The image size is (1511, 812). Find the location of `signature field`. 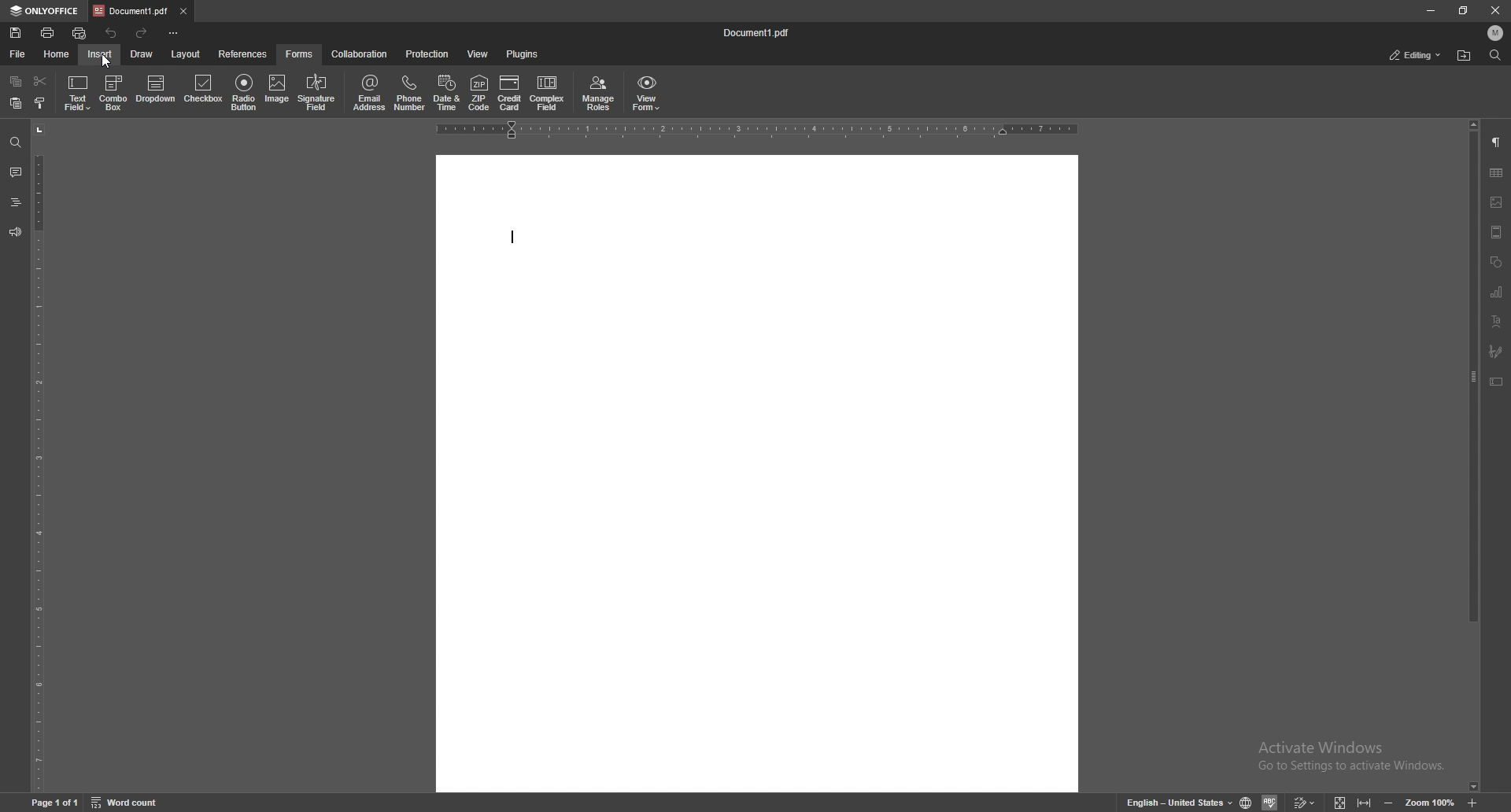

signature field is located at coordinates (1498, 351).